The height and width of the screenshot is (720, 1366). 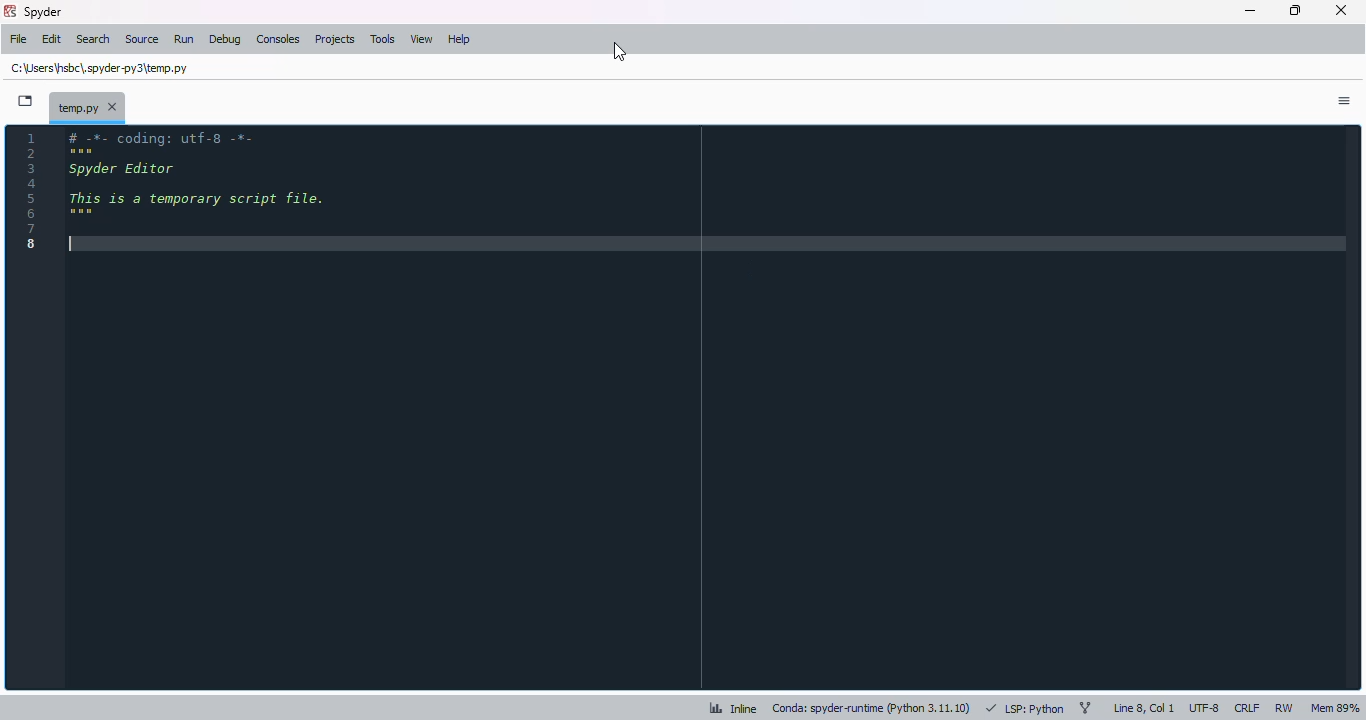 I want to click on line numbers, so click(x=32, y=192).